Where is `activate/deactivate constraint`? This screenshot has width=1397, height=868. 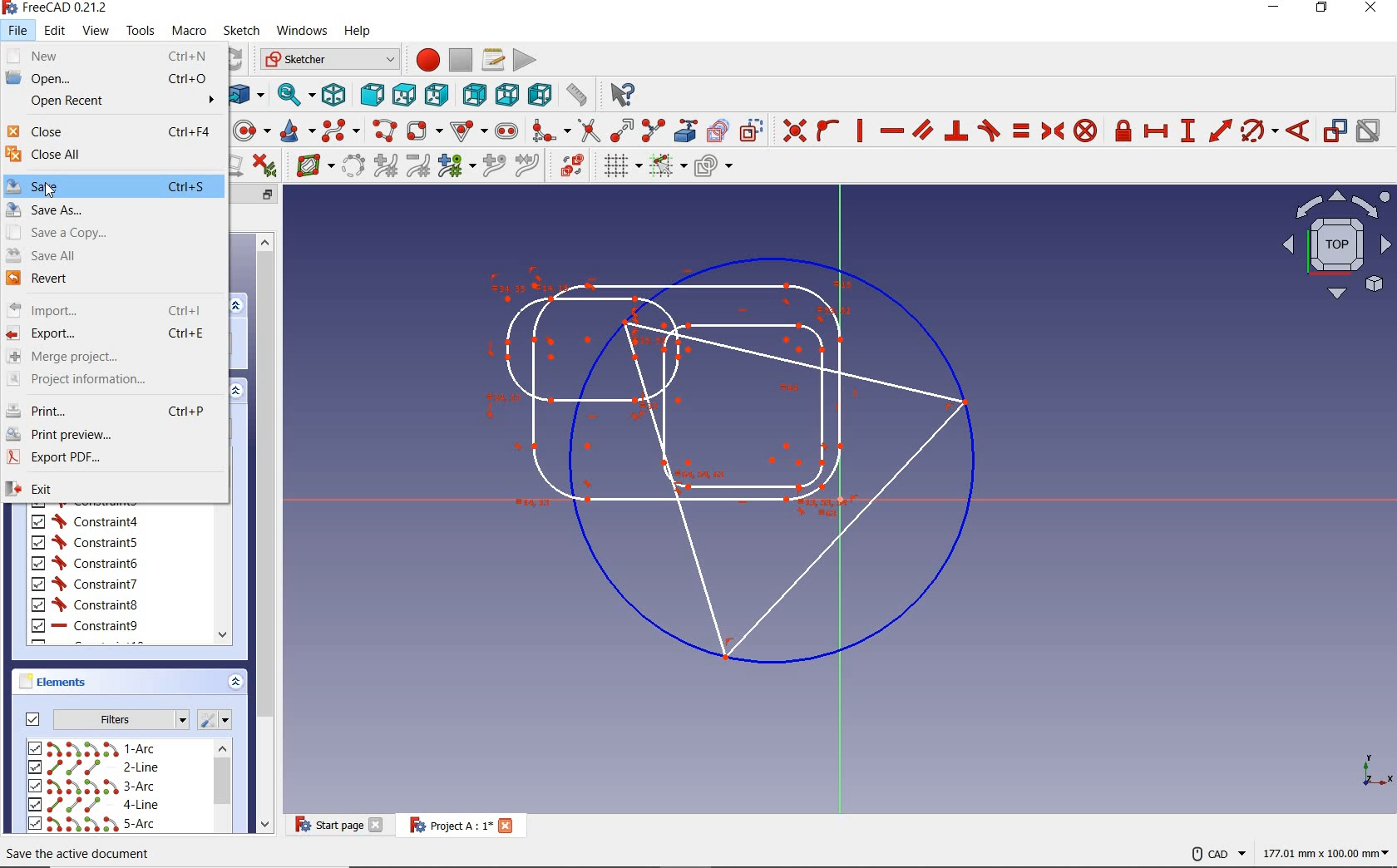 activate/deactivate constraint is located at coordinates (1370, 134).